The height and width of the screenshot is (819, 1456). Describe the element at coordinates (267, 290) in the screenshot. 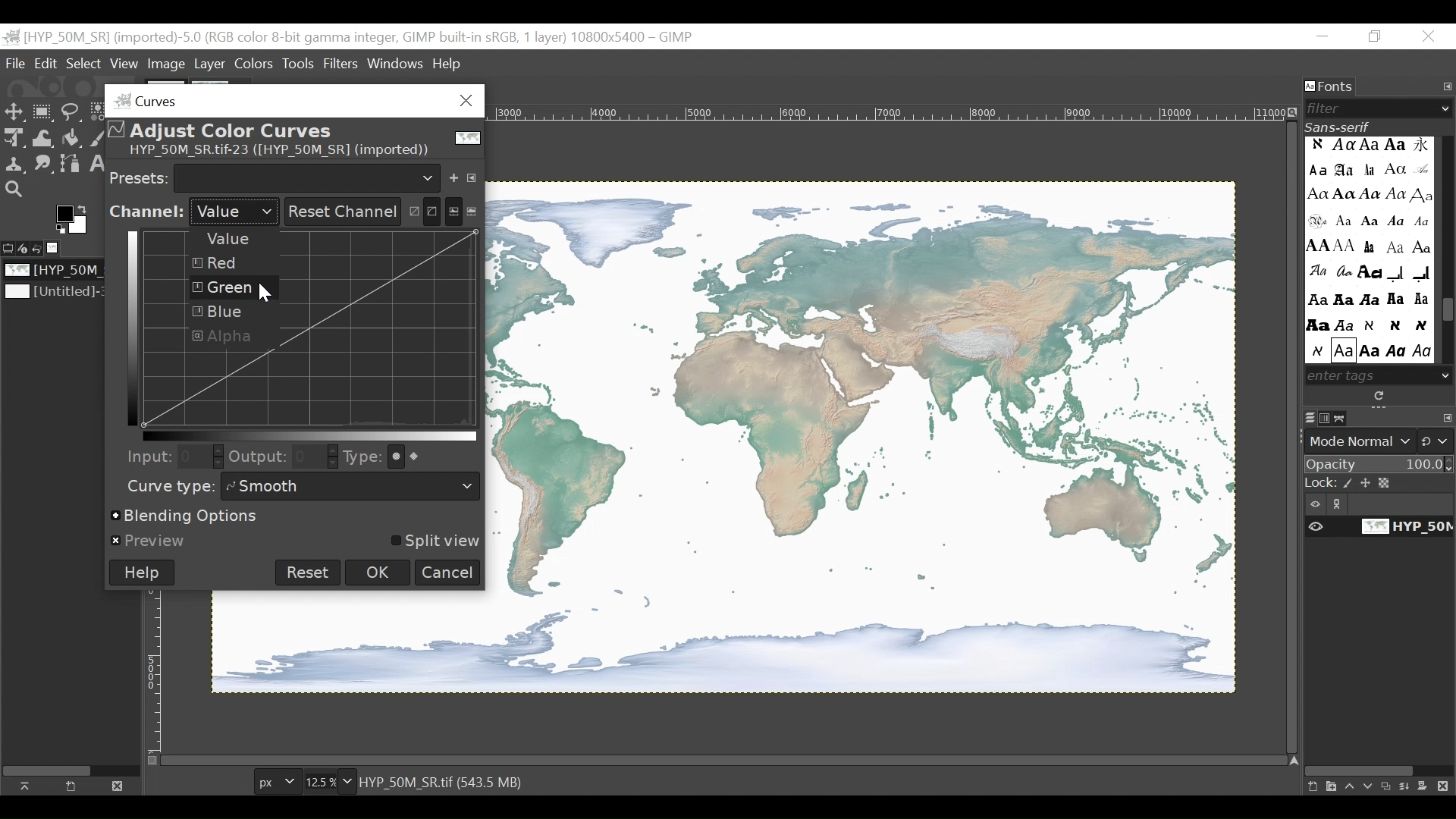

I see `Cursor` at that location.